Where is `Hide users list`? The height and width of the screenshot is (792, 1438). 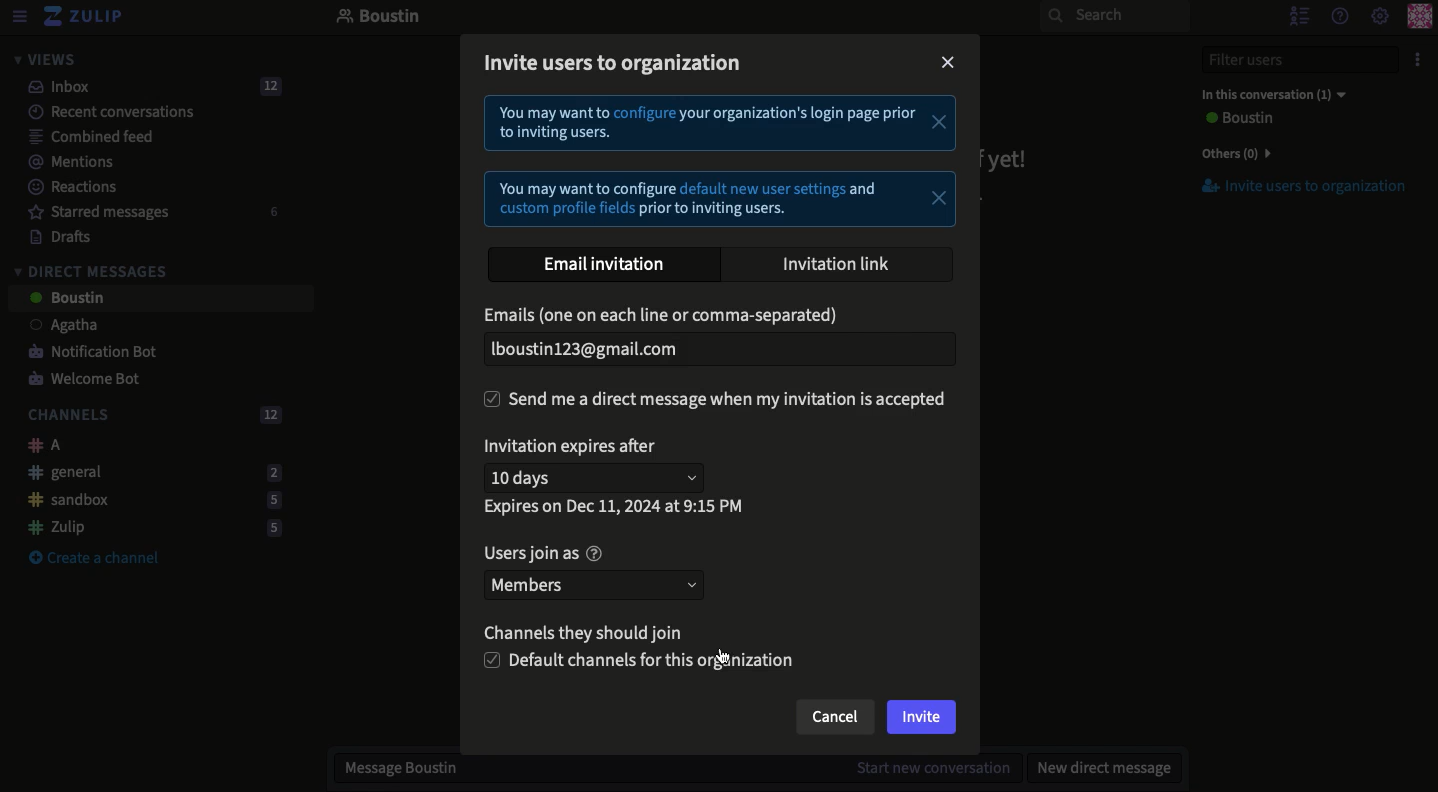
Hide users list is located at coordinates (1297, 15).